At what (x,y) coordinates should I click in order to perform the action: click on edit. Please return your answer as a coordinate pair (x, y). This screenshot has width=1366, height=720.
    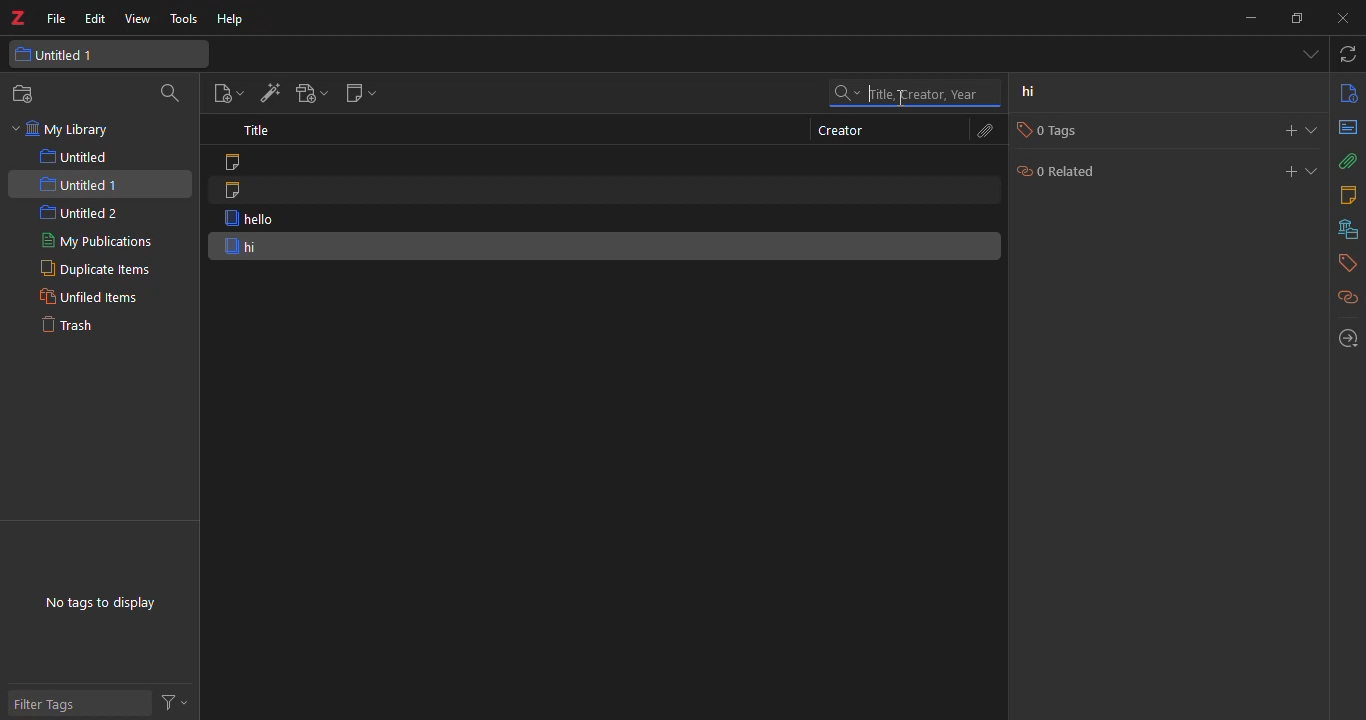
    Looking at the image, I should click on (96, 19).